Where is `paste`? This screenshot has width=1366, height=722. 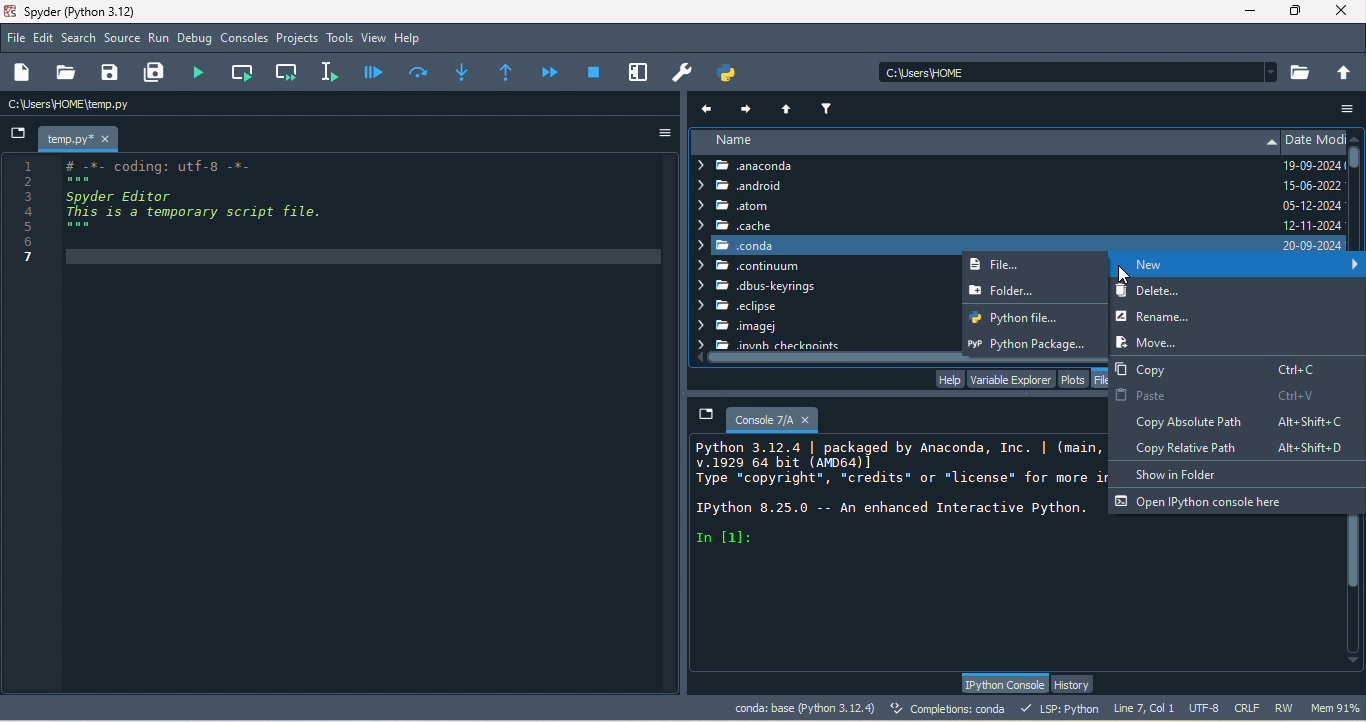 paste is located at coordinates (1215, 395).